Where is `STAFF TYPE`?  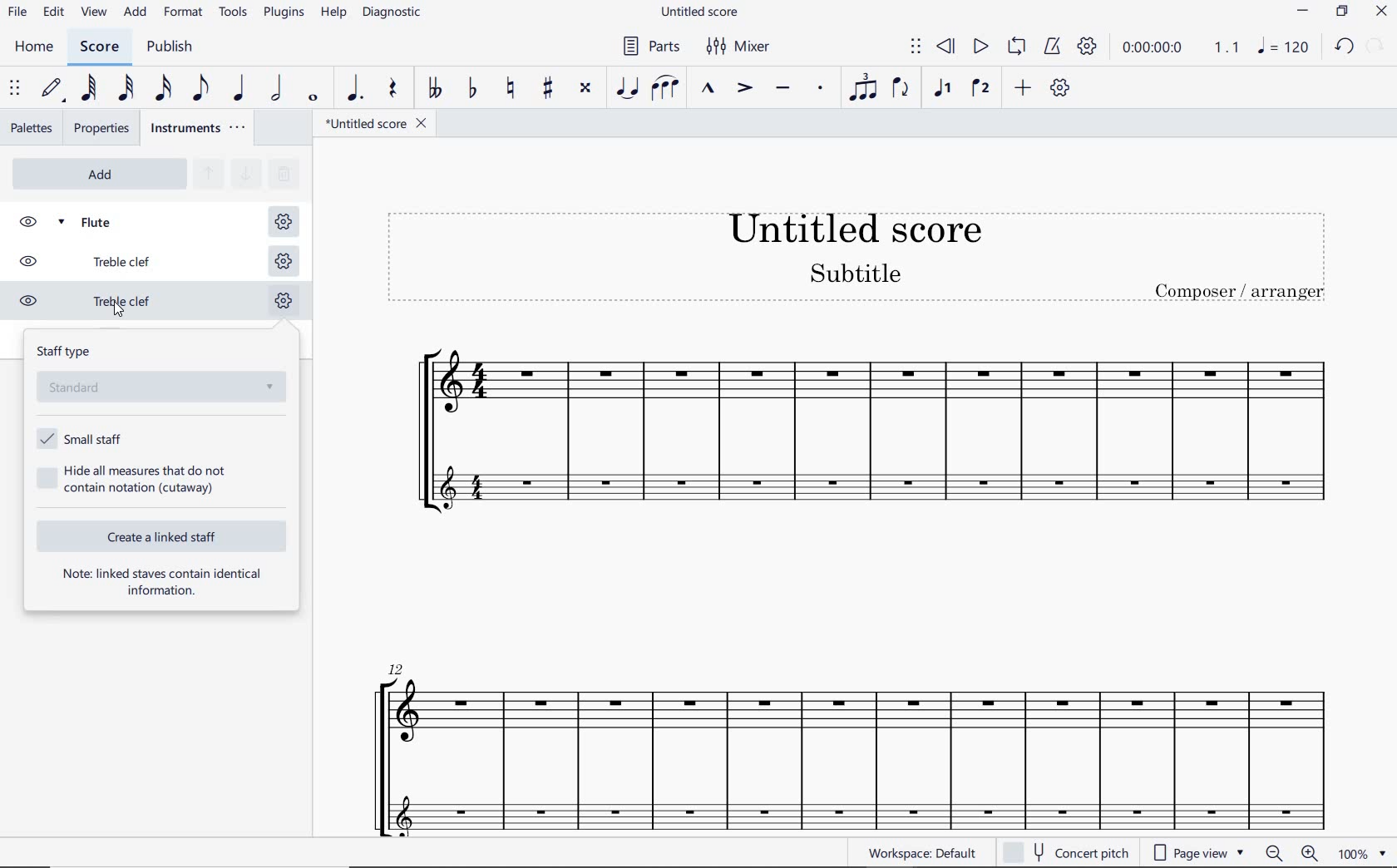
STAFF TYPE is located at coordinates (164, 375).